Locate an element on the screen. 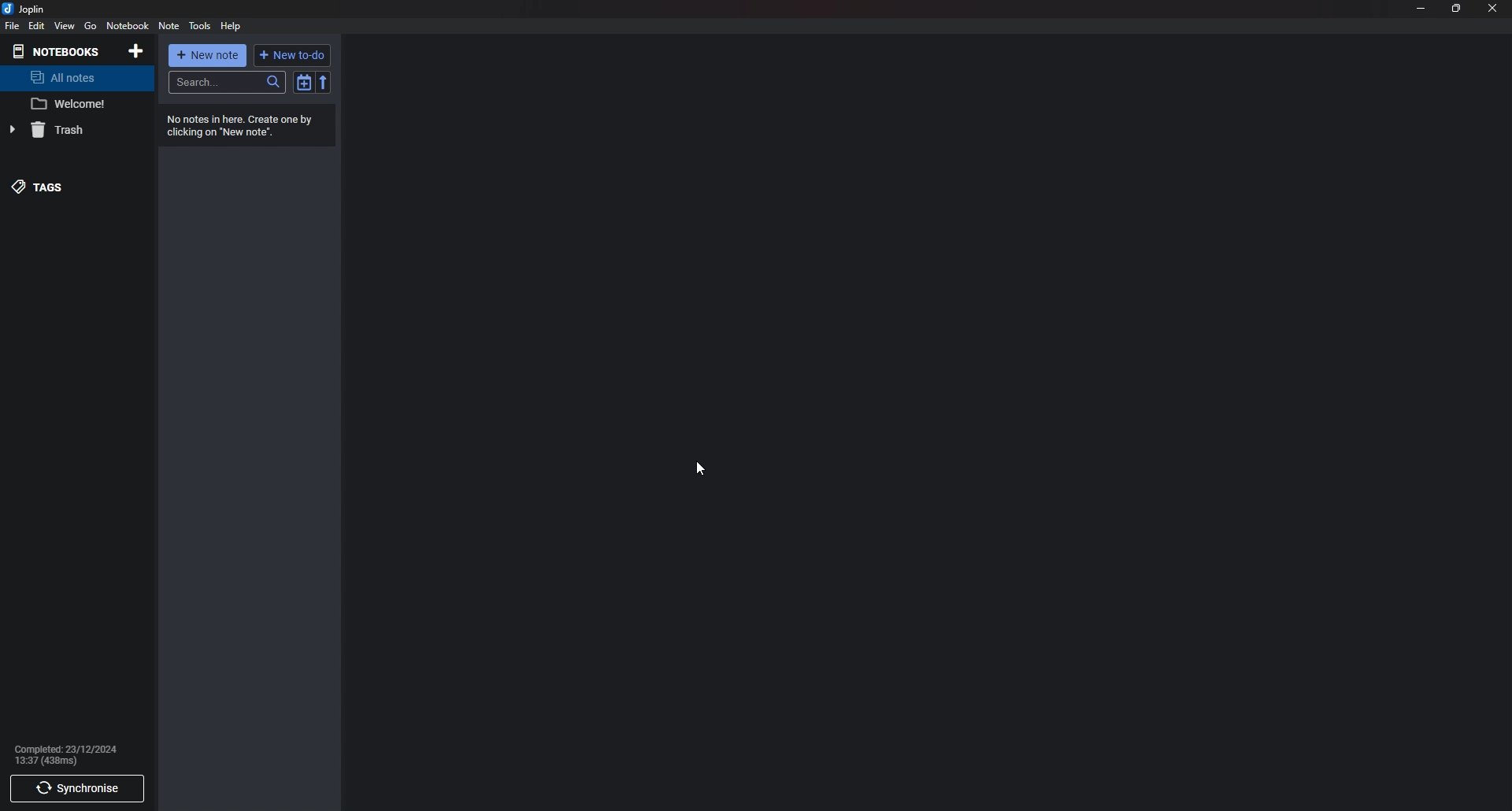 The height and width of the screenshot is (811, 1512). Toggle sort order is located at coordinates (302, 83).